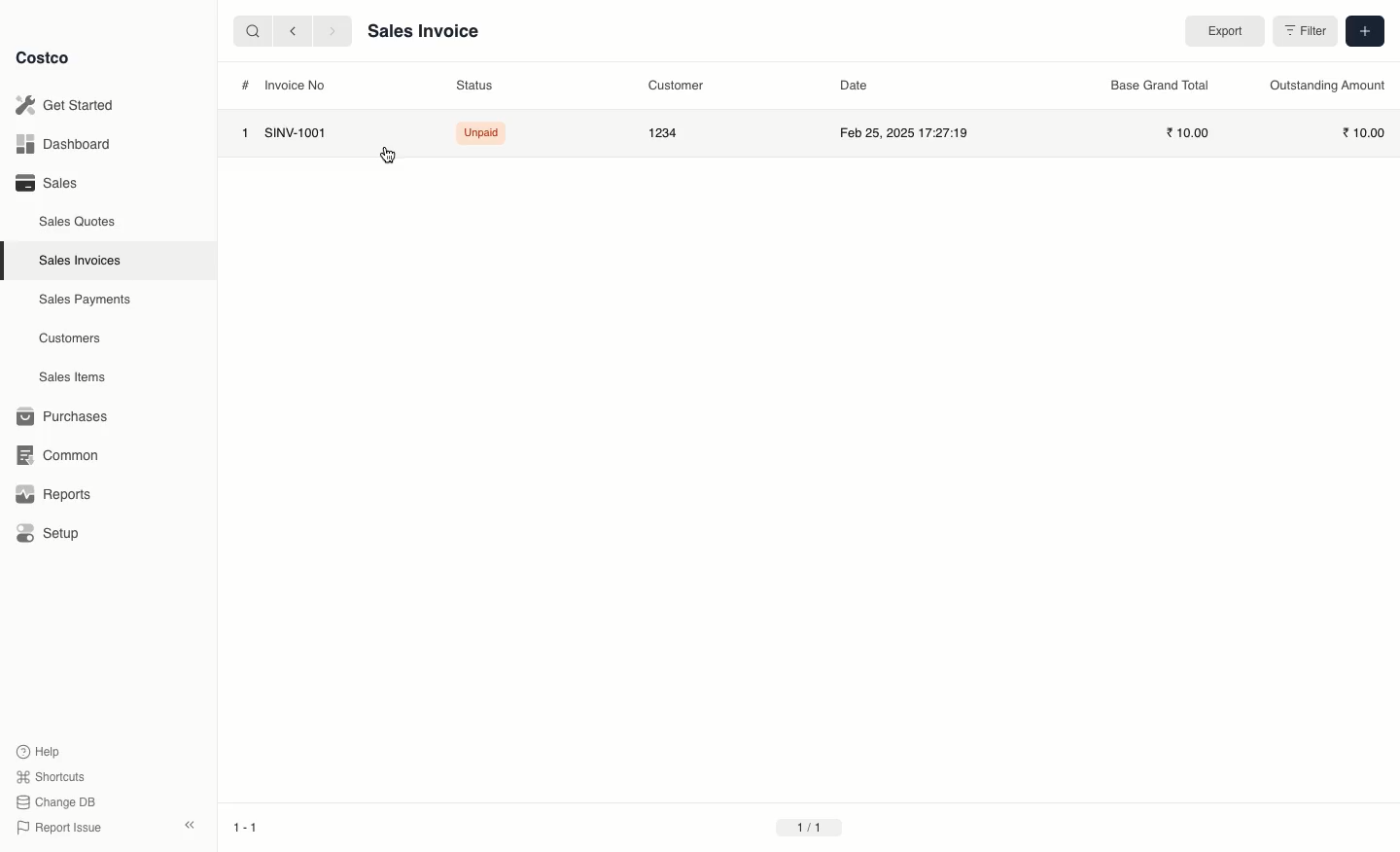 The image size is (1400, 852). Describe the element at coordinates (42, 751) in the screenshot. I see `Help` at that location.